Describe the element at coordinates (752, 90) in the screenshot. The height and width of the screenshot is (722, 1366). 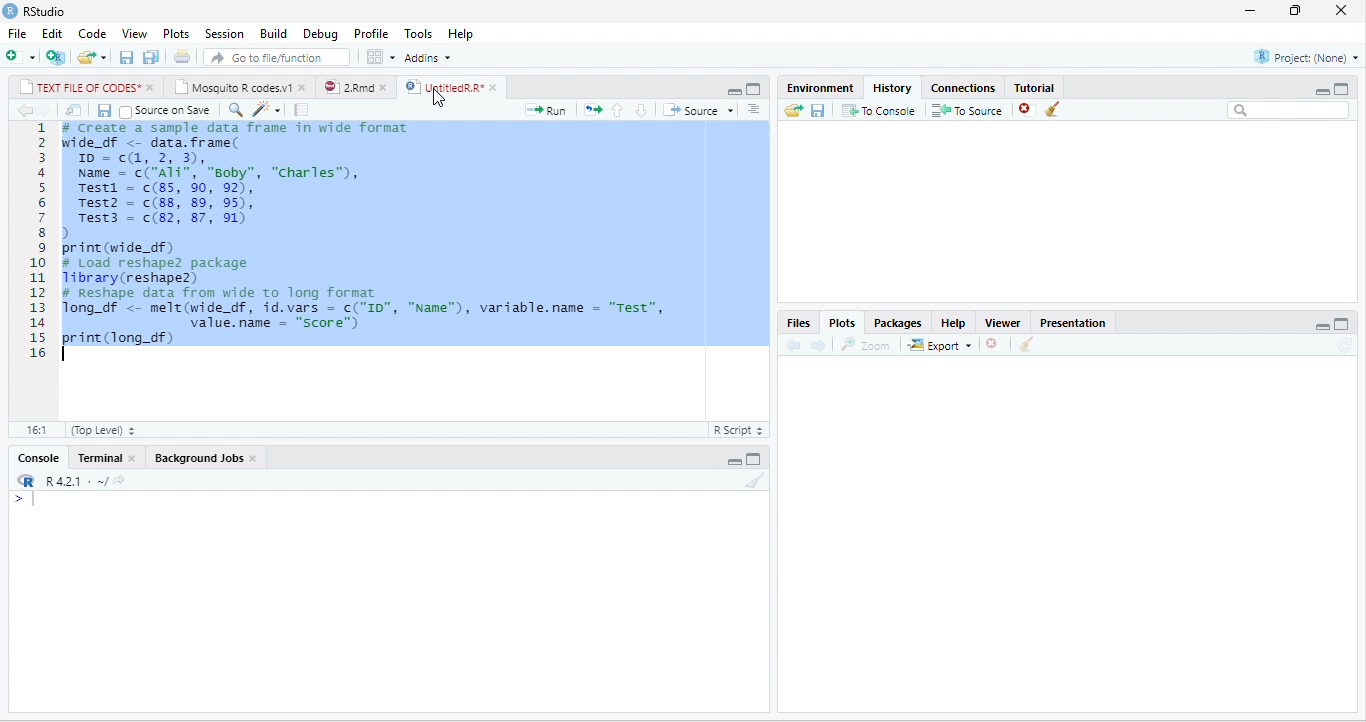
I see `maximize` at that location.